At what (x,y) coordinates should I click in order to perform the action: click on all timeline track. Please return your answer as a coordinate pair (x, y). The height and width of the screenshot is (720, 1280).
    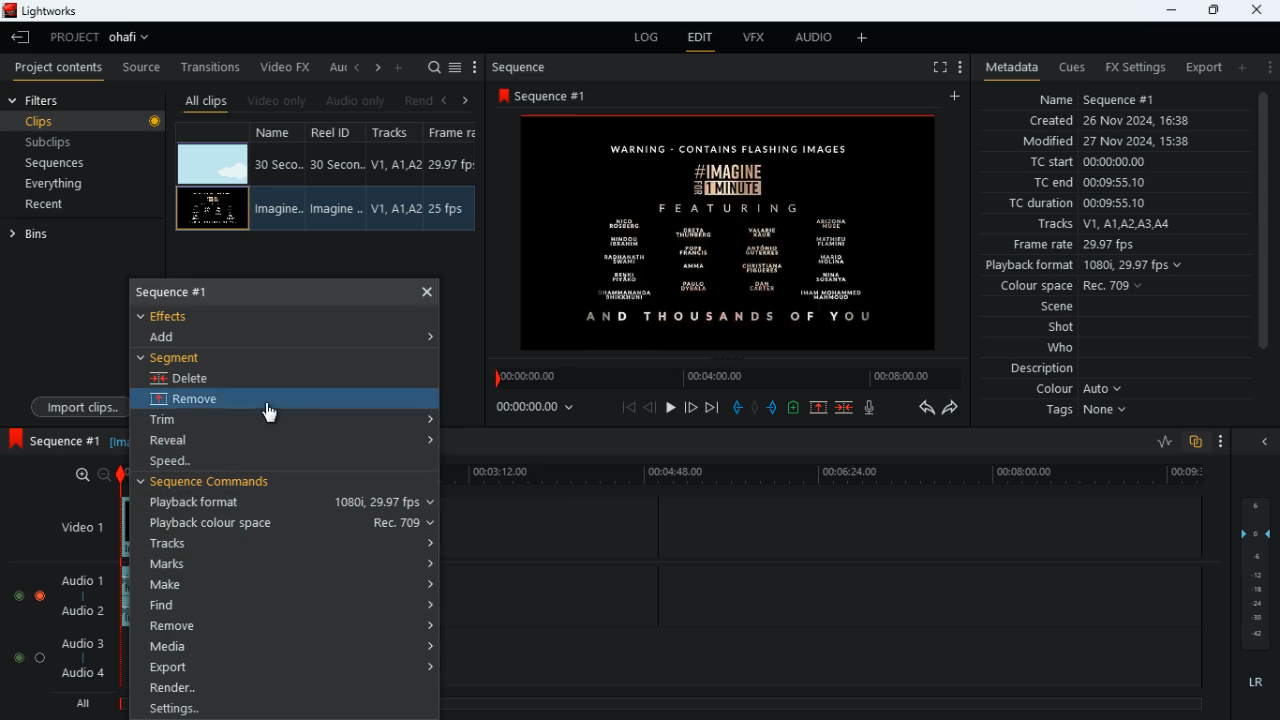
    Looking at the image, I should click on (834, 699).